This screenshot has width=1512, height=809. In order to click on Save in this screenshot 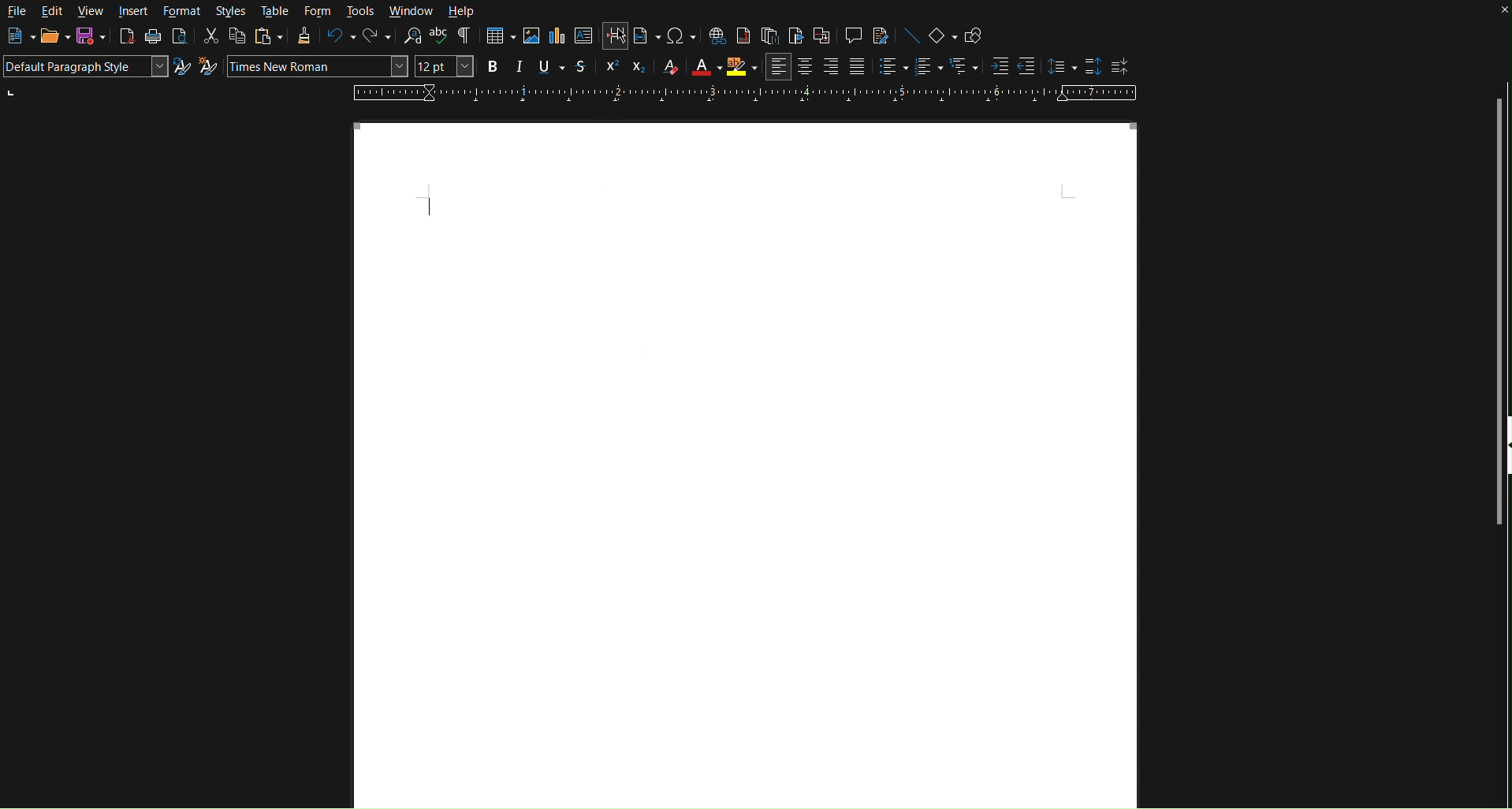, I will do `click(90, 38)`.